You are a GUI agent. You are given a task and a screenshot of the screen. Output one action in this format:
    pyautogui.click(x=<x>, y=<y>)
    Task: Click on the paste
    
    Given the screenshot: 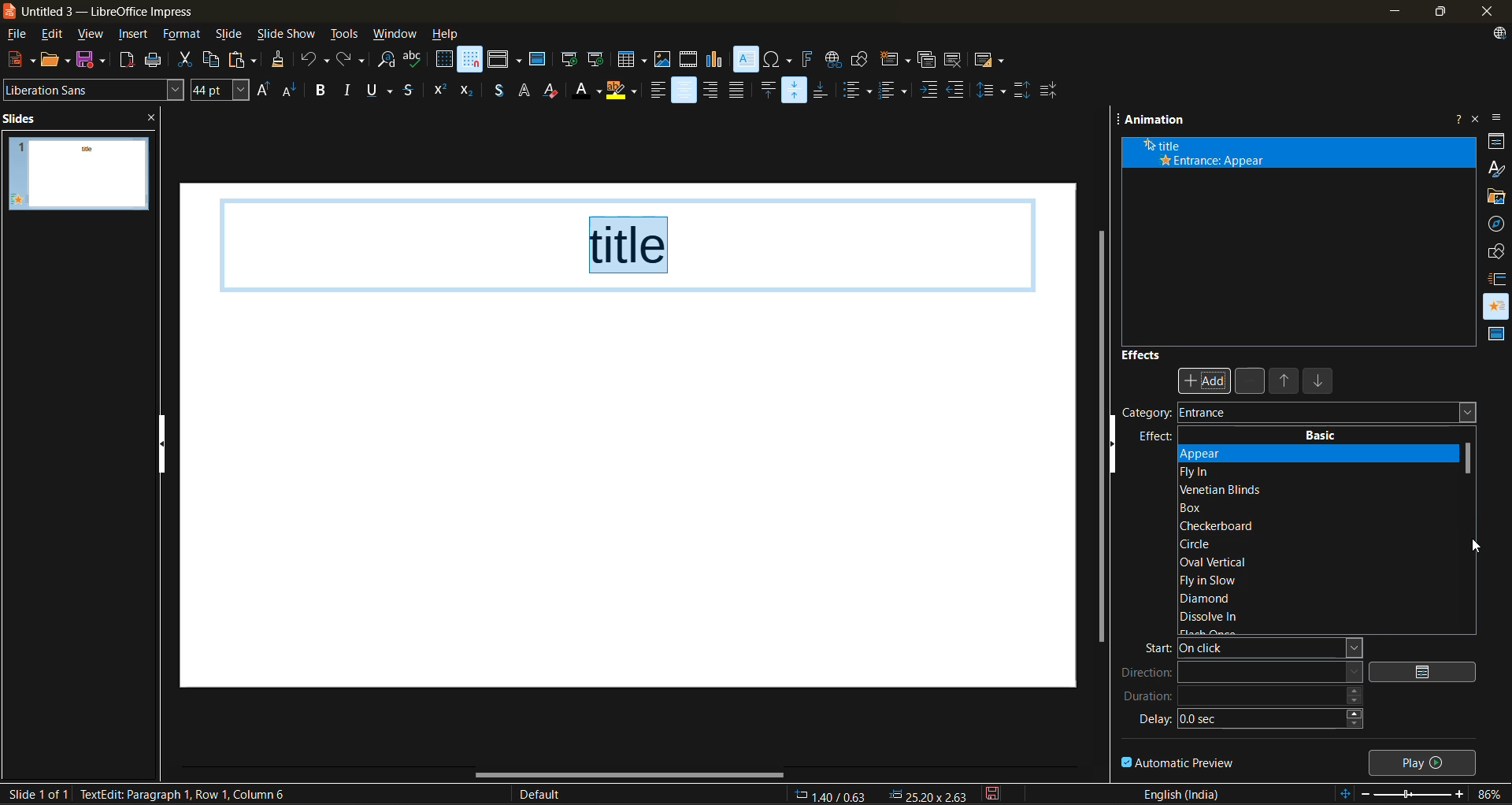 What is the action you would take?
    pyautogui.click(x=246, y=60)
    